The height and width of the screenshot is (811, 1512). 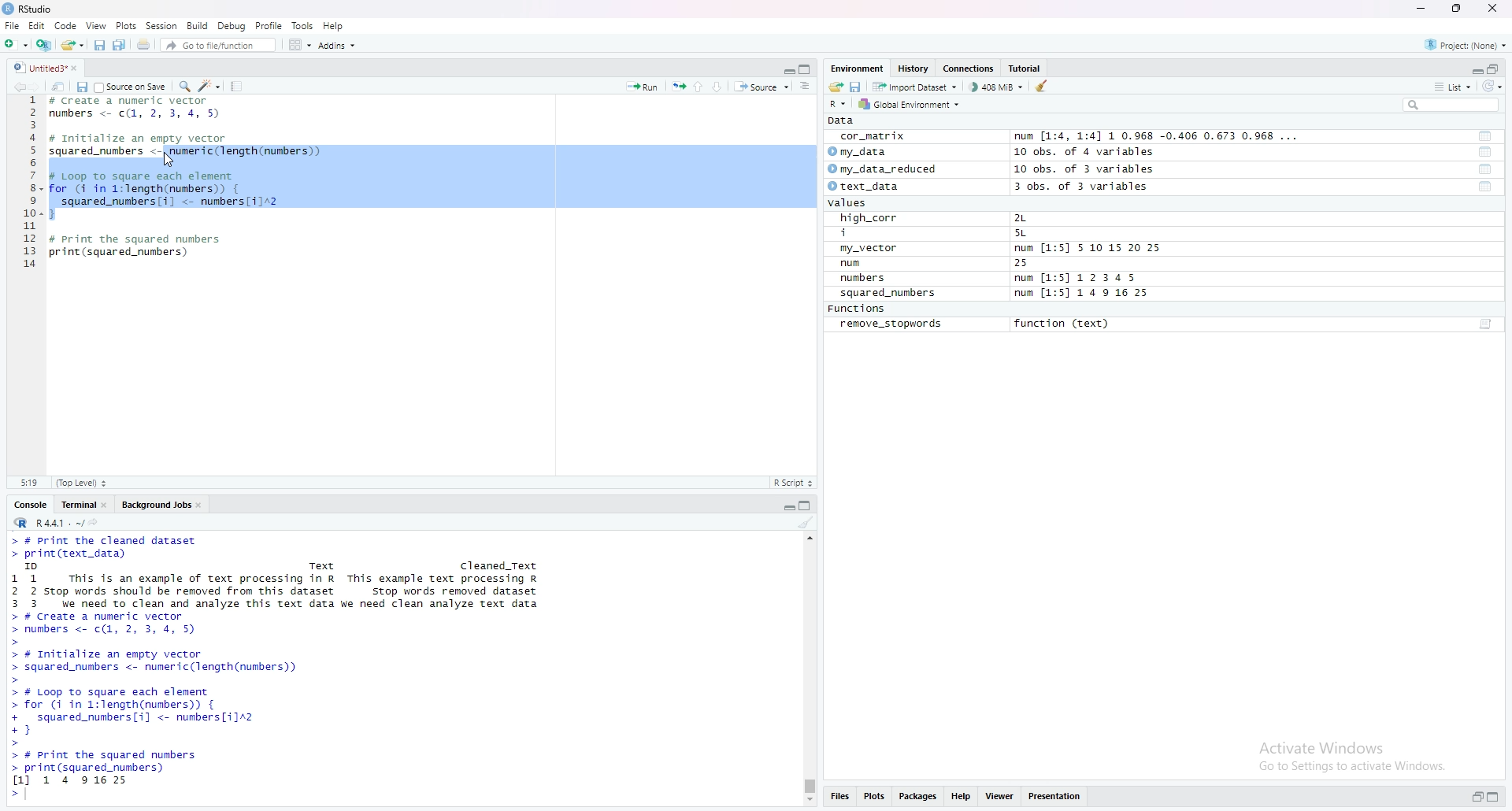 I want to click on Workspace panes, so click(x=298, y=44).